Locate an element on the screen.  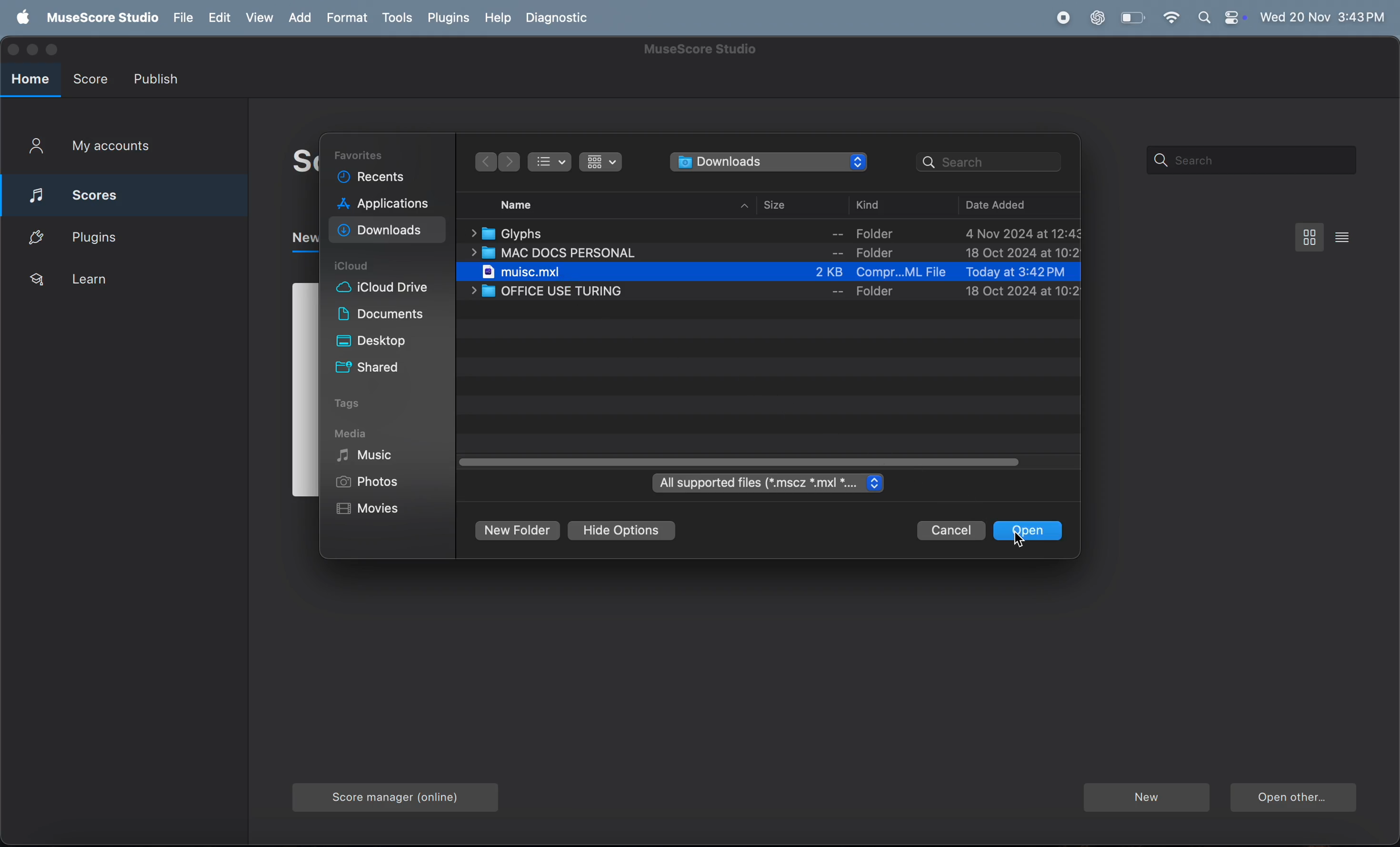
forward is located at coordinates (484, 161).